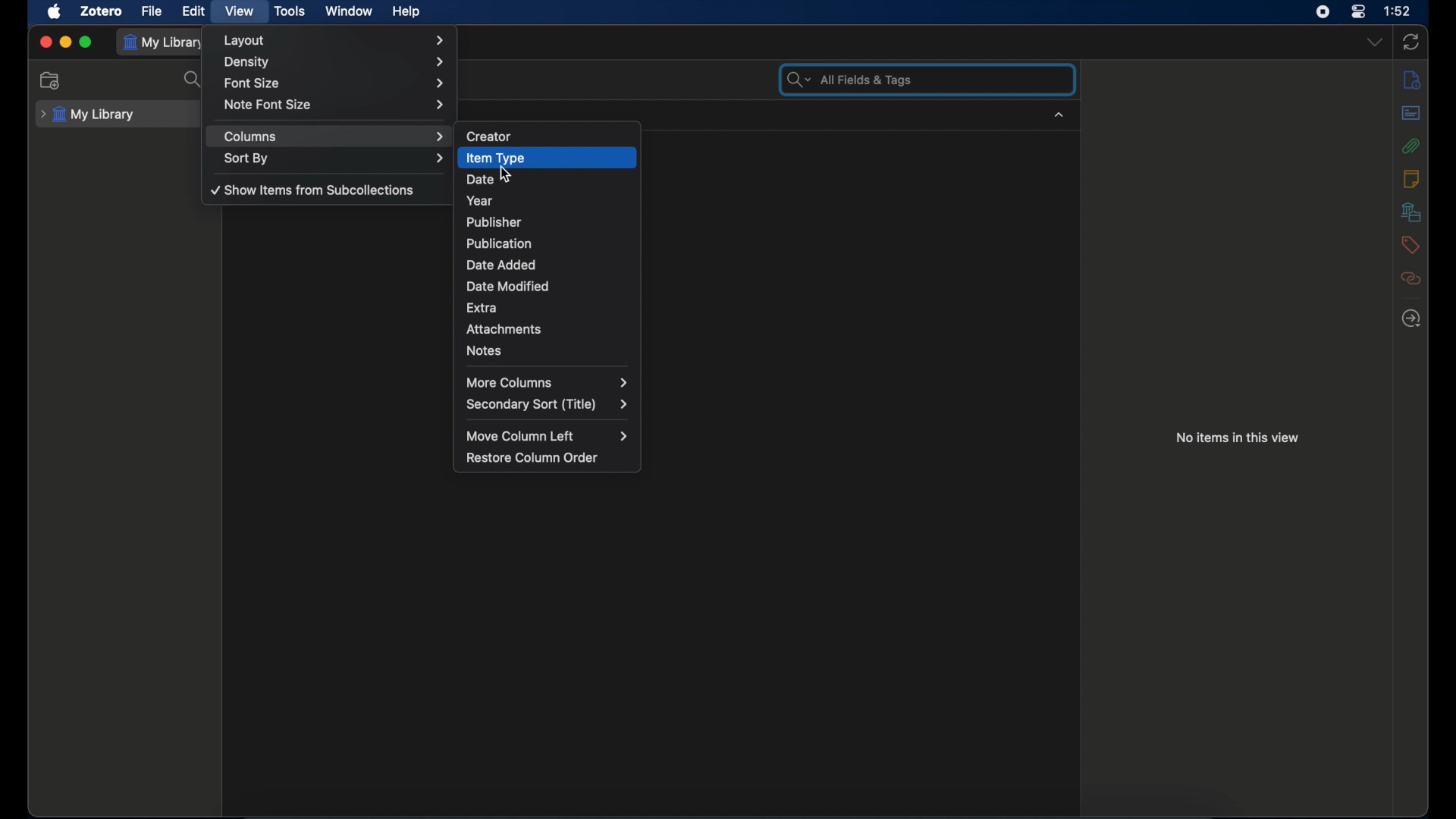 The image size is (1456, 819). I want to click on edit, so click(196, 12).